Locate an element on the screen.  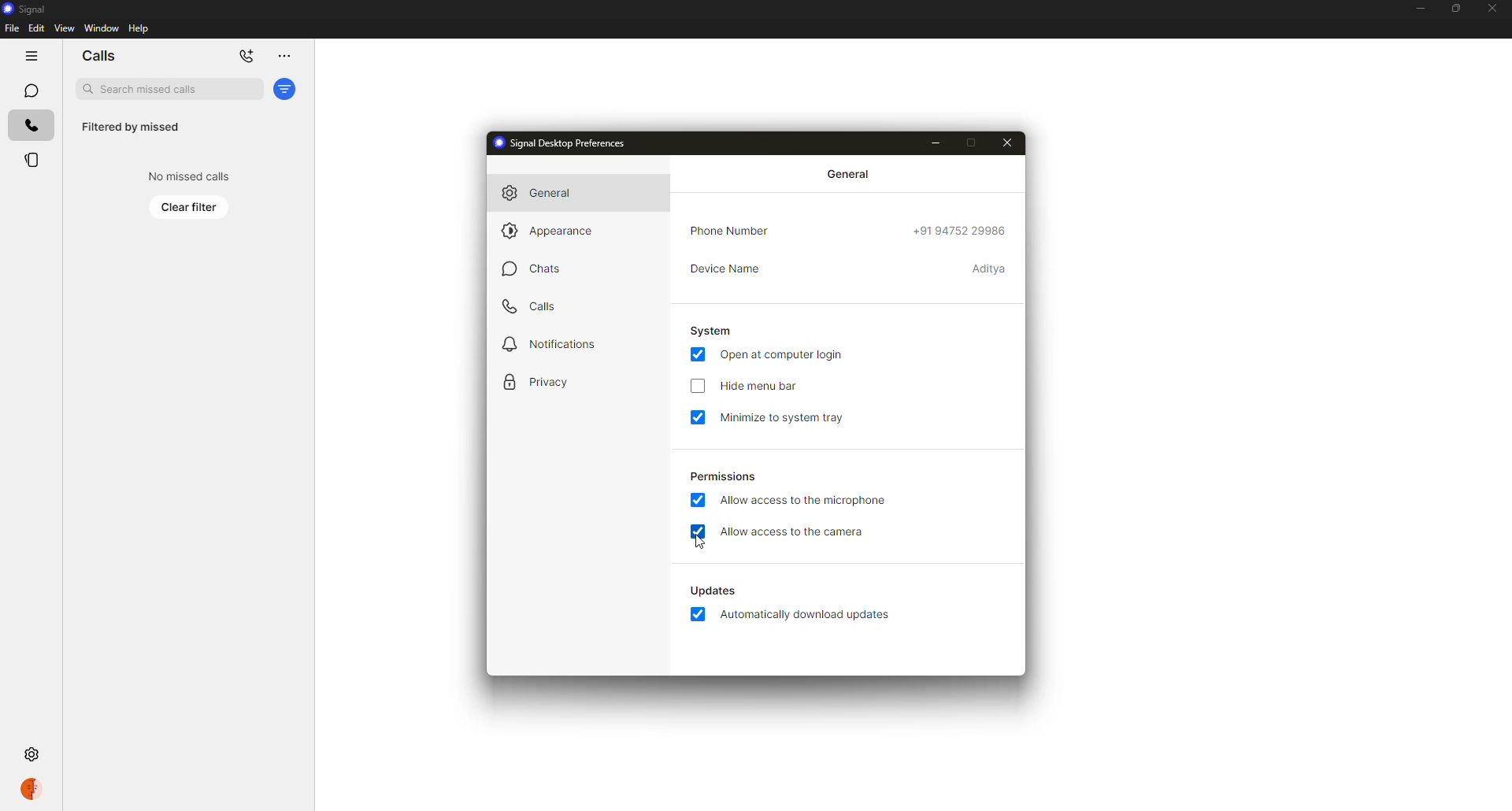
close is located at coordinates (1495, 9).